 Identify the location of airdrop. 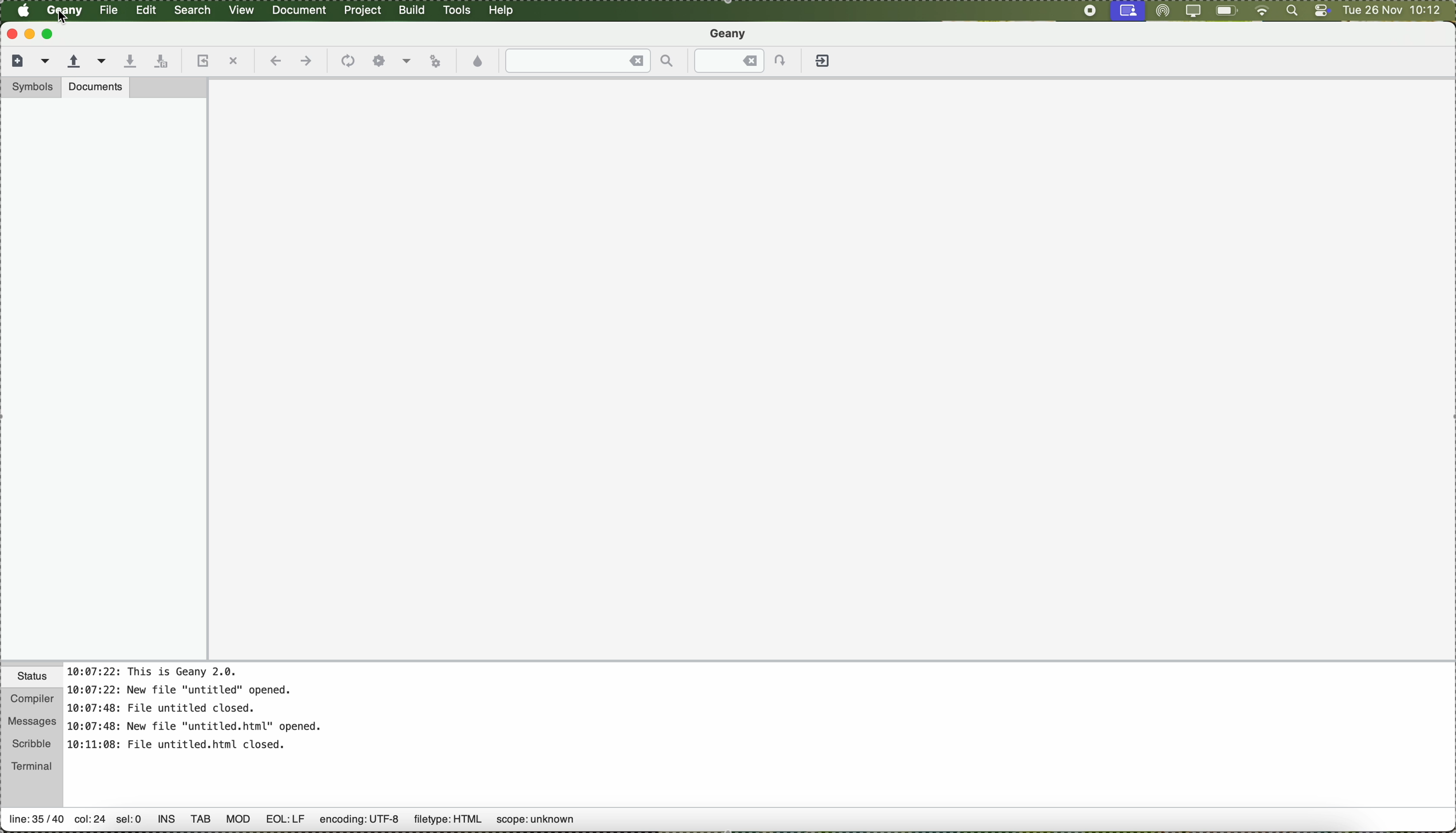
(1161, 11).